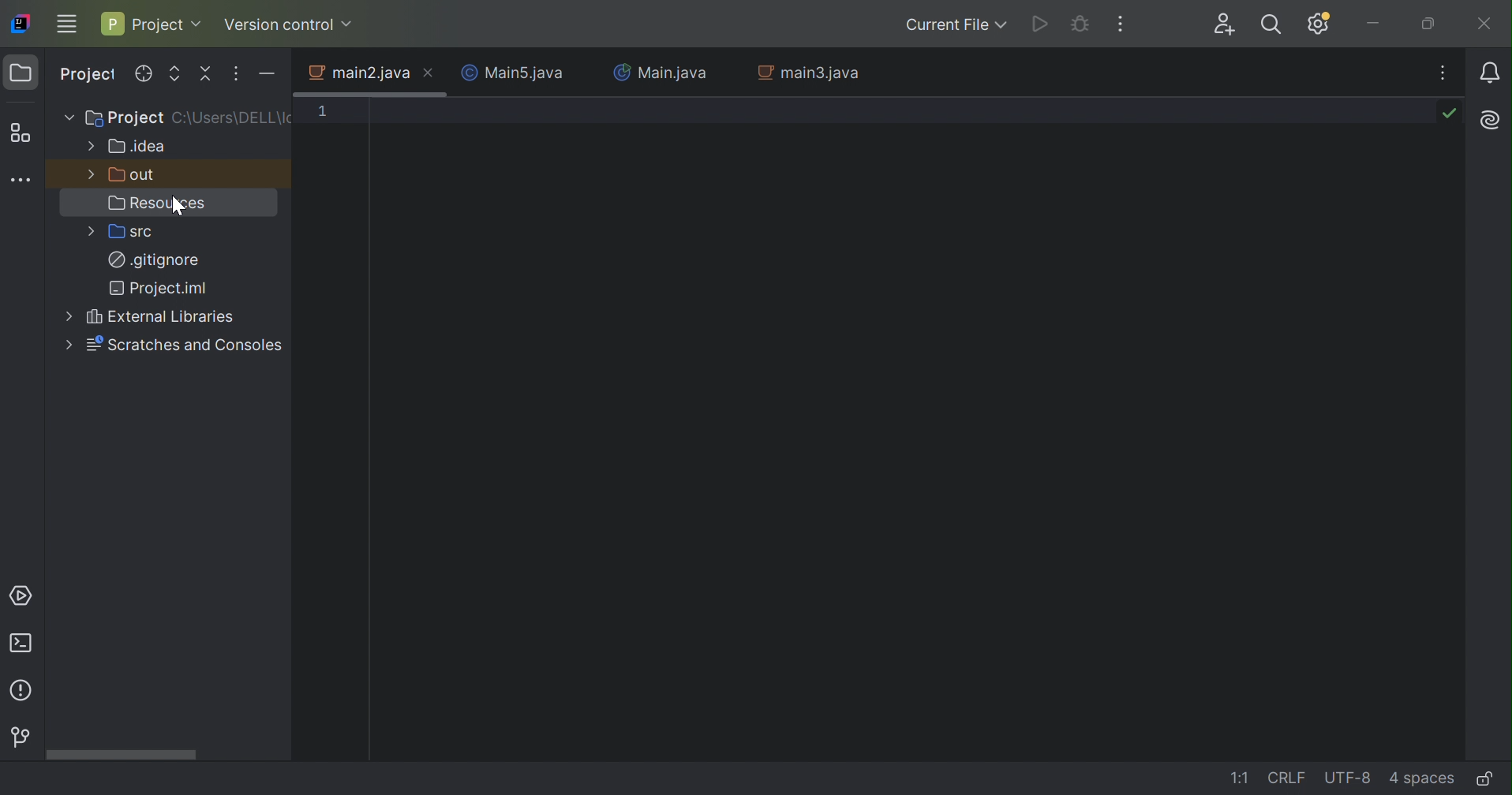  Describe the element at coordinates (234, 118) in the screenshot. I see `C:\Users\DELL\` at that location.